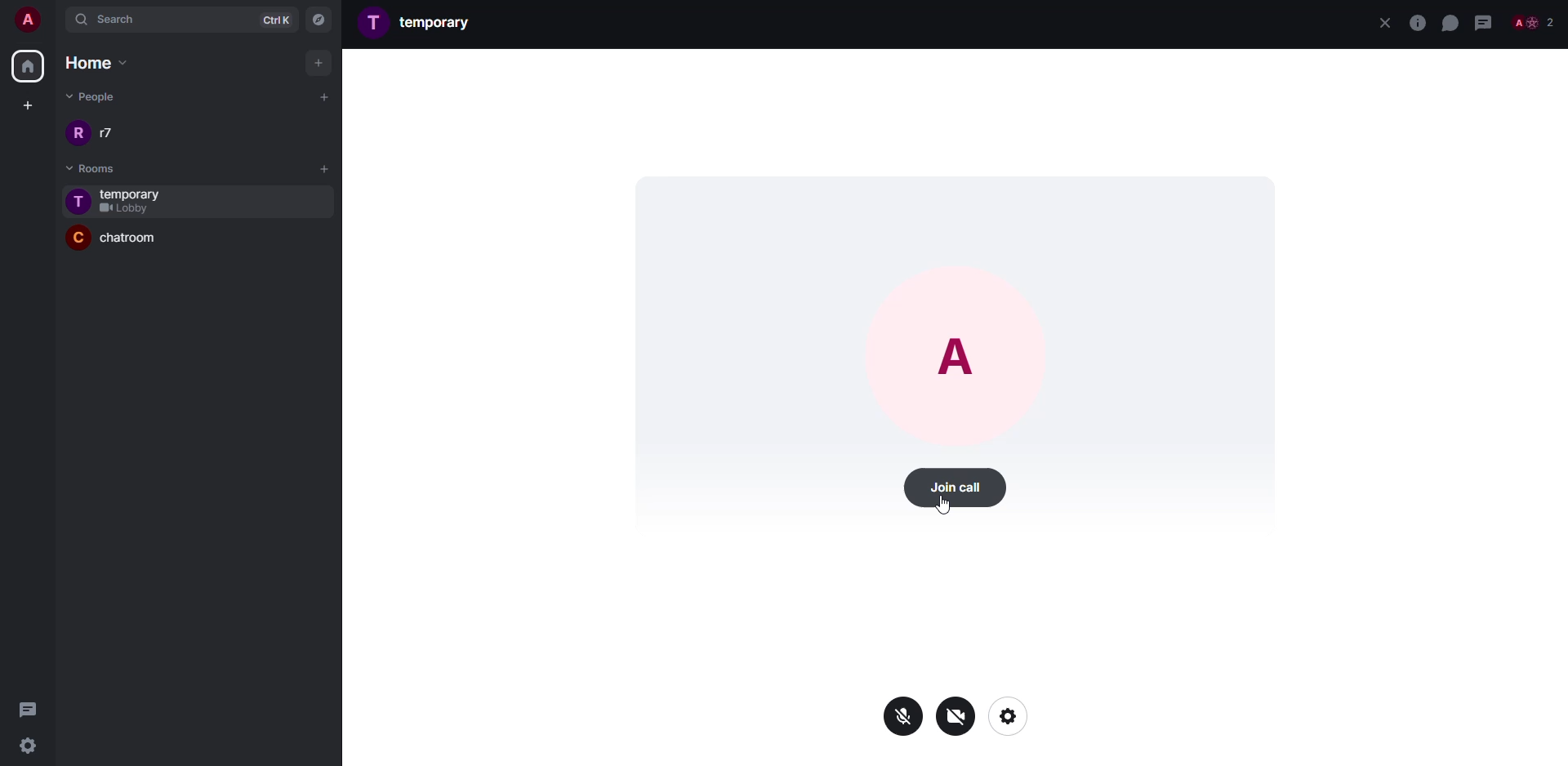  Describe the element at coordinates (76, 238) in the screenshot. I see `profile` at that location.